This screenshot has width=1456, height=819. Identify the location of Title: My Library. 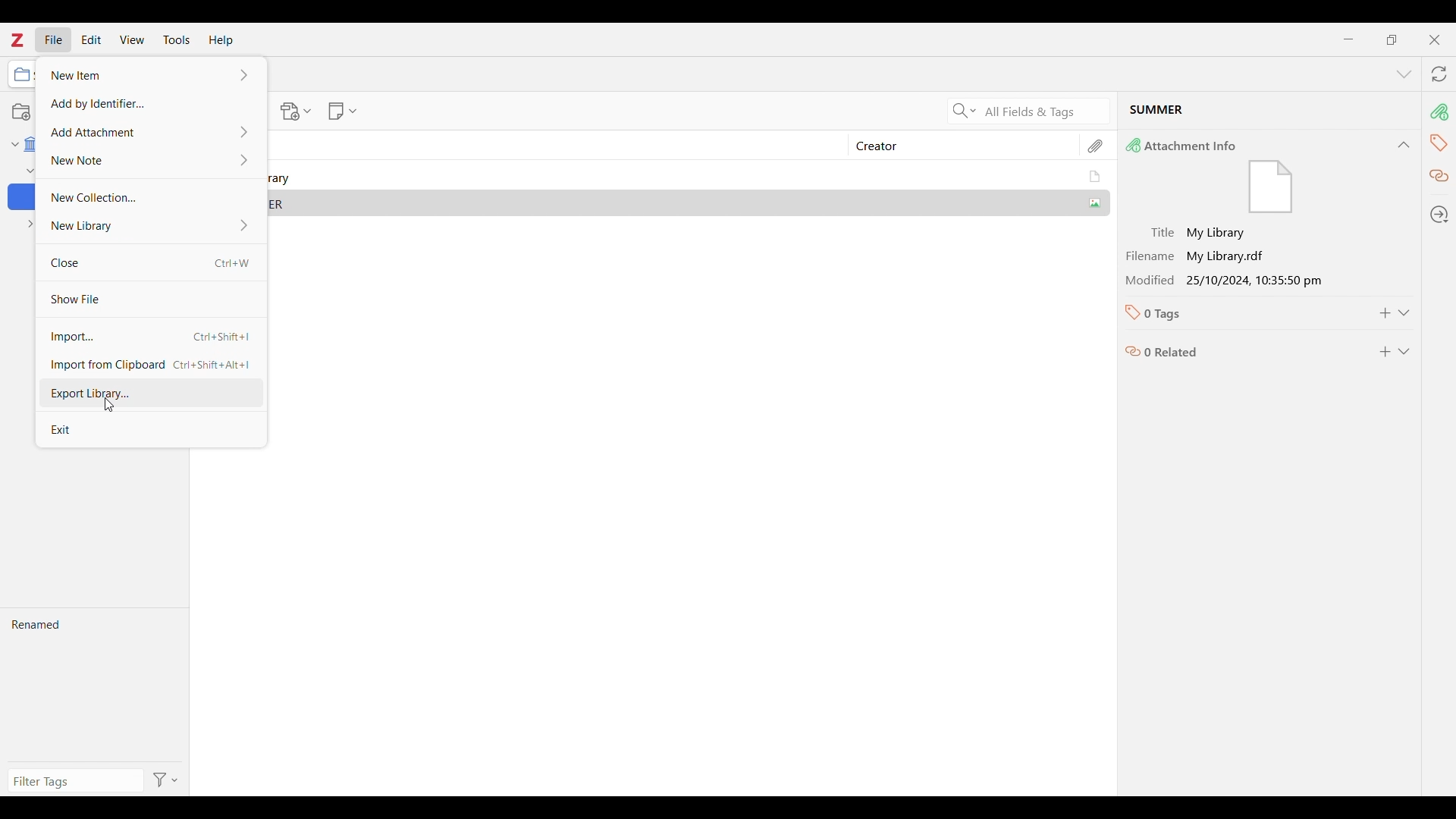
(1241, 234).